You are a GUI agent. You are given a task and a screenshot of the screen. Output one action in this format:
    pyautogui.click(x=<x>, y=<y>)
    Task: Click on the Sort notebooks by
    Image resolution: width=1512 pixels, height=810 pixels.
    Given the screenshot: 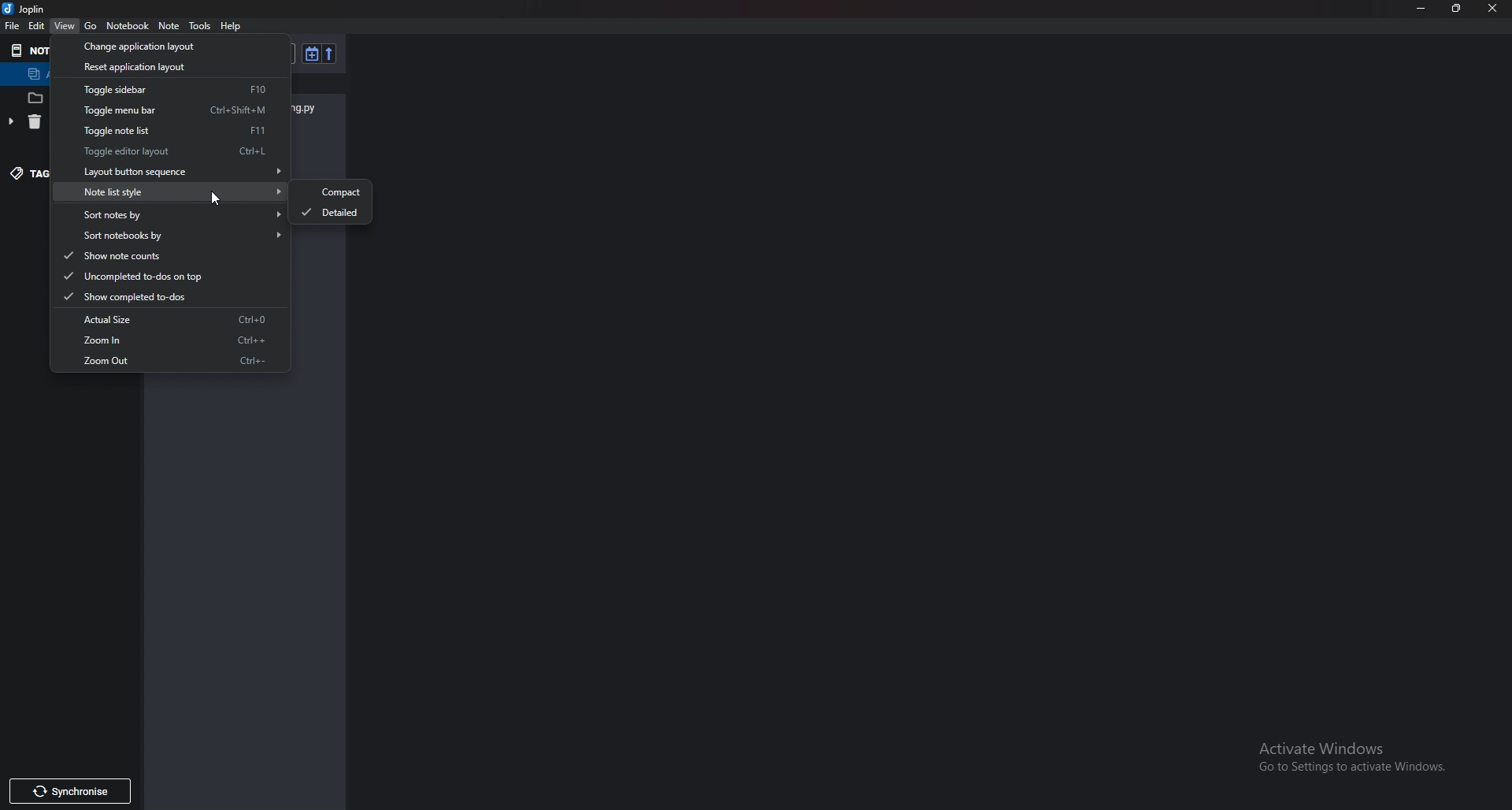 What is the action you would take?
    pyautogui.click(x=172, y=235)
    